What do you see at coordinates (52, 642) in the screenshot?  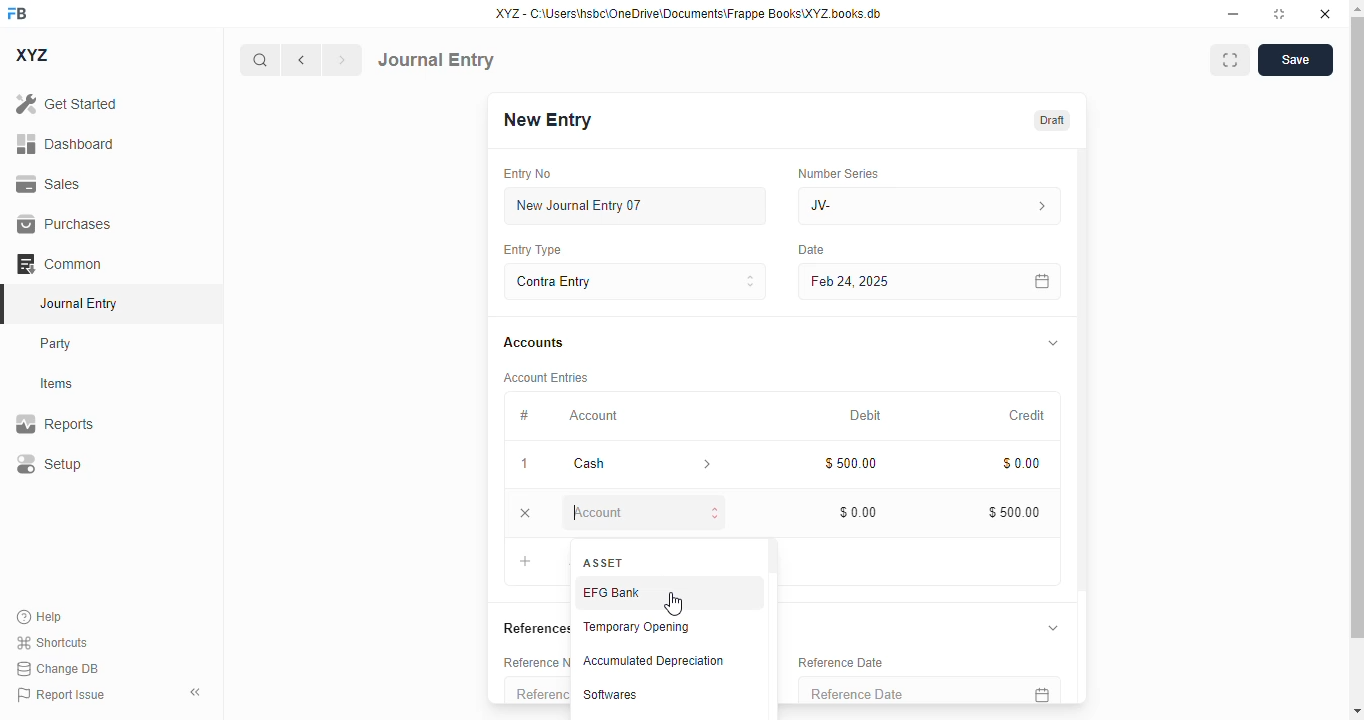 I see `shortcuts` at bounding box center [52, 642].